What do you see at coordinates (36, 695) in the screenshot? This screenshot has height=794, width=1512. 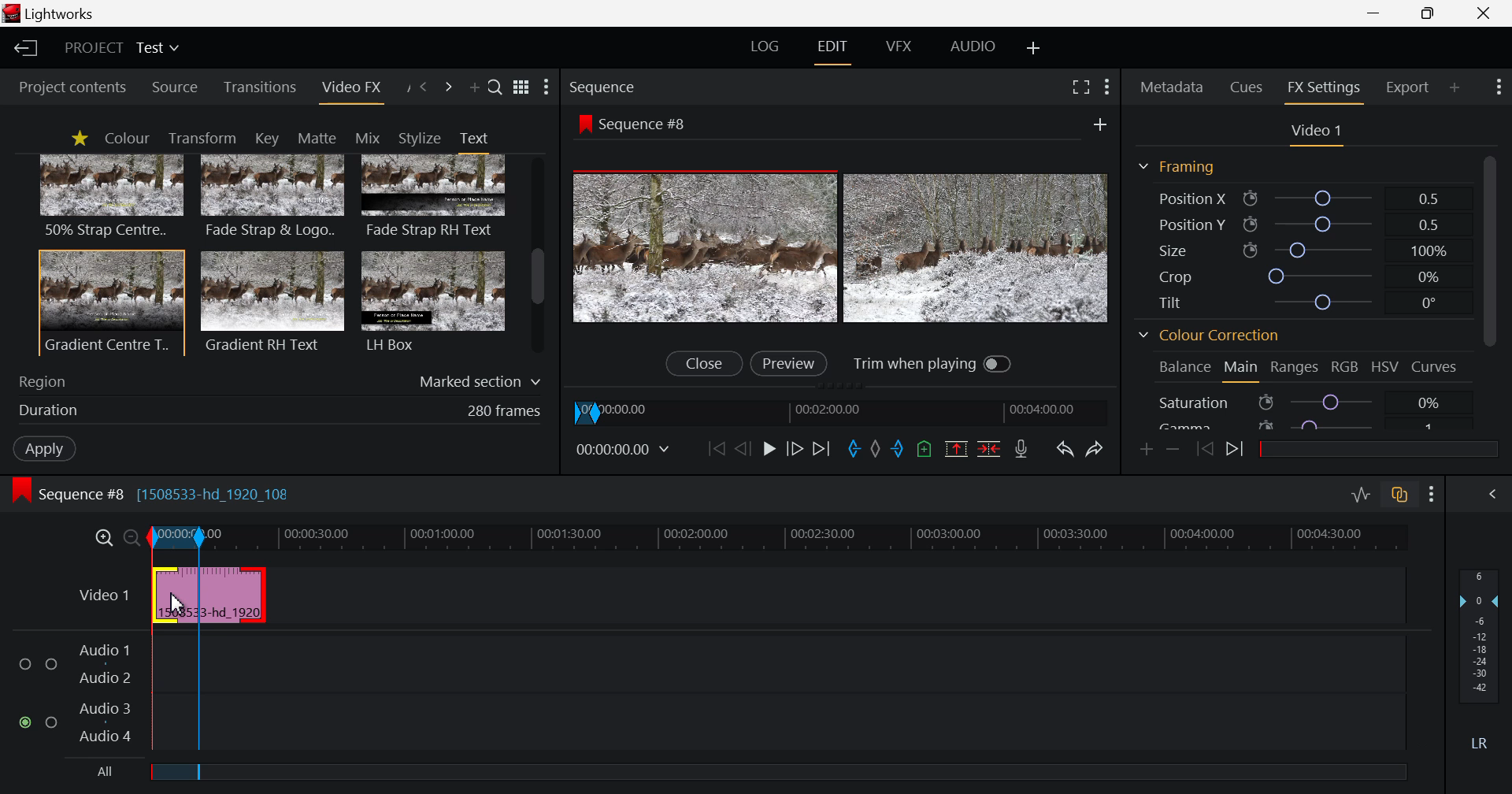 I see `` at bounding box center [36, 695].